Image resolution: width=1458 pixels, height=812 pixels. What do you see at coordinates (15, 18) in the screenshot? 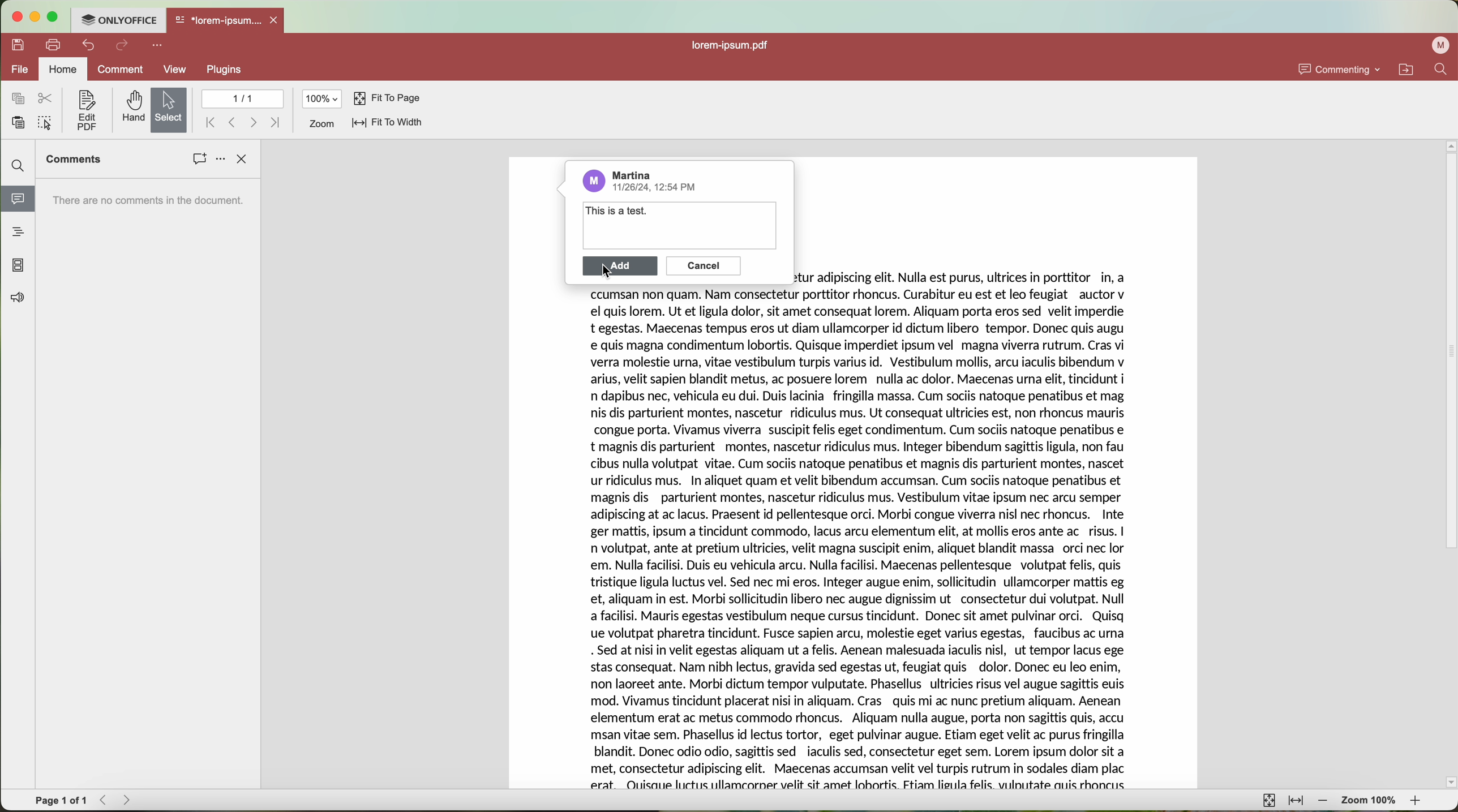
I see `close program` at bounding box center [15, 18].